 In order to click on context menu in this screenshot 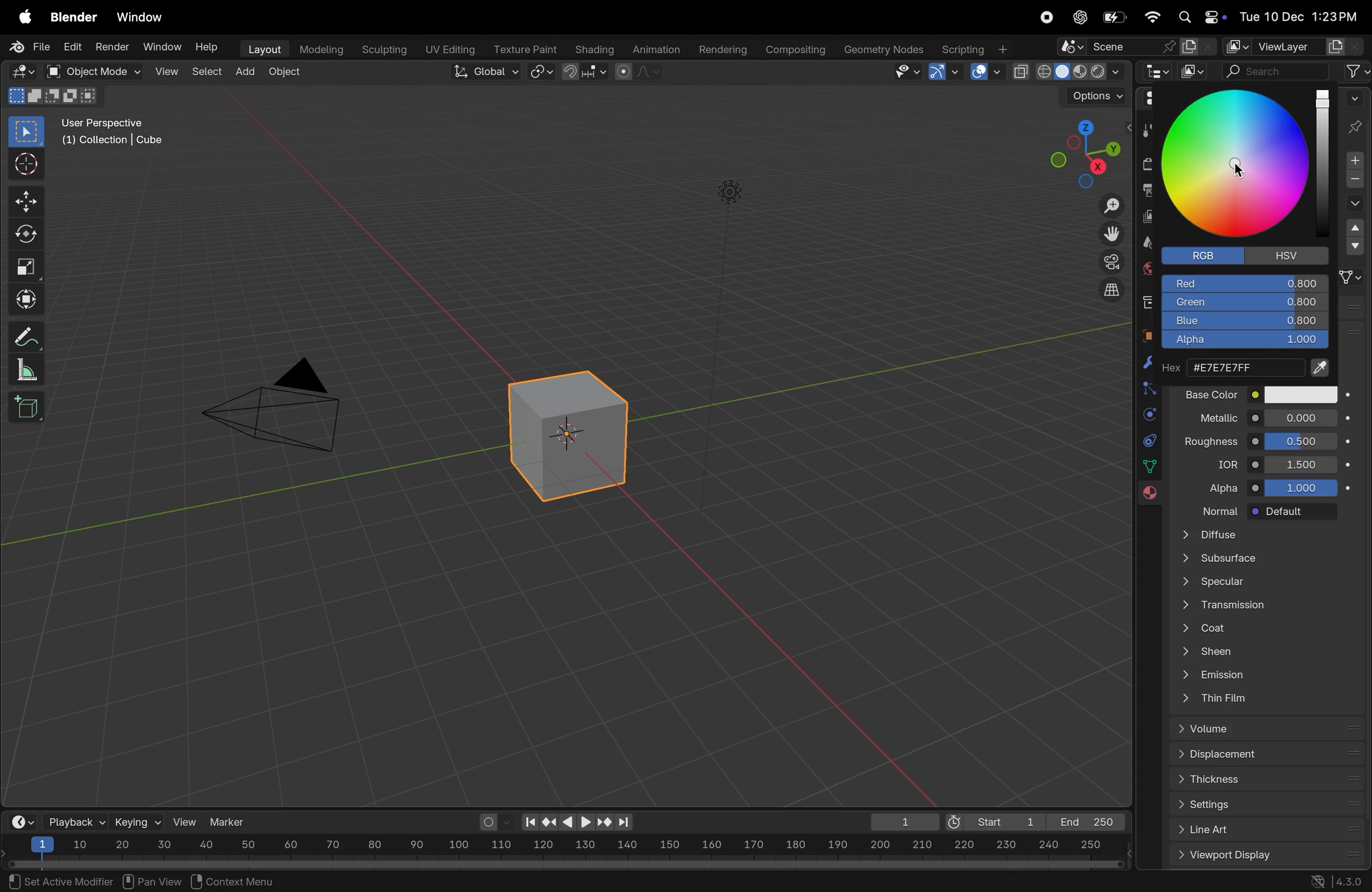, I will do `click(239, 880)`.